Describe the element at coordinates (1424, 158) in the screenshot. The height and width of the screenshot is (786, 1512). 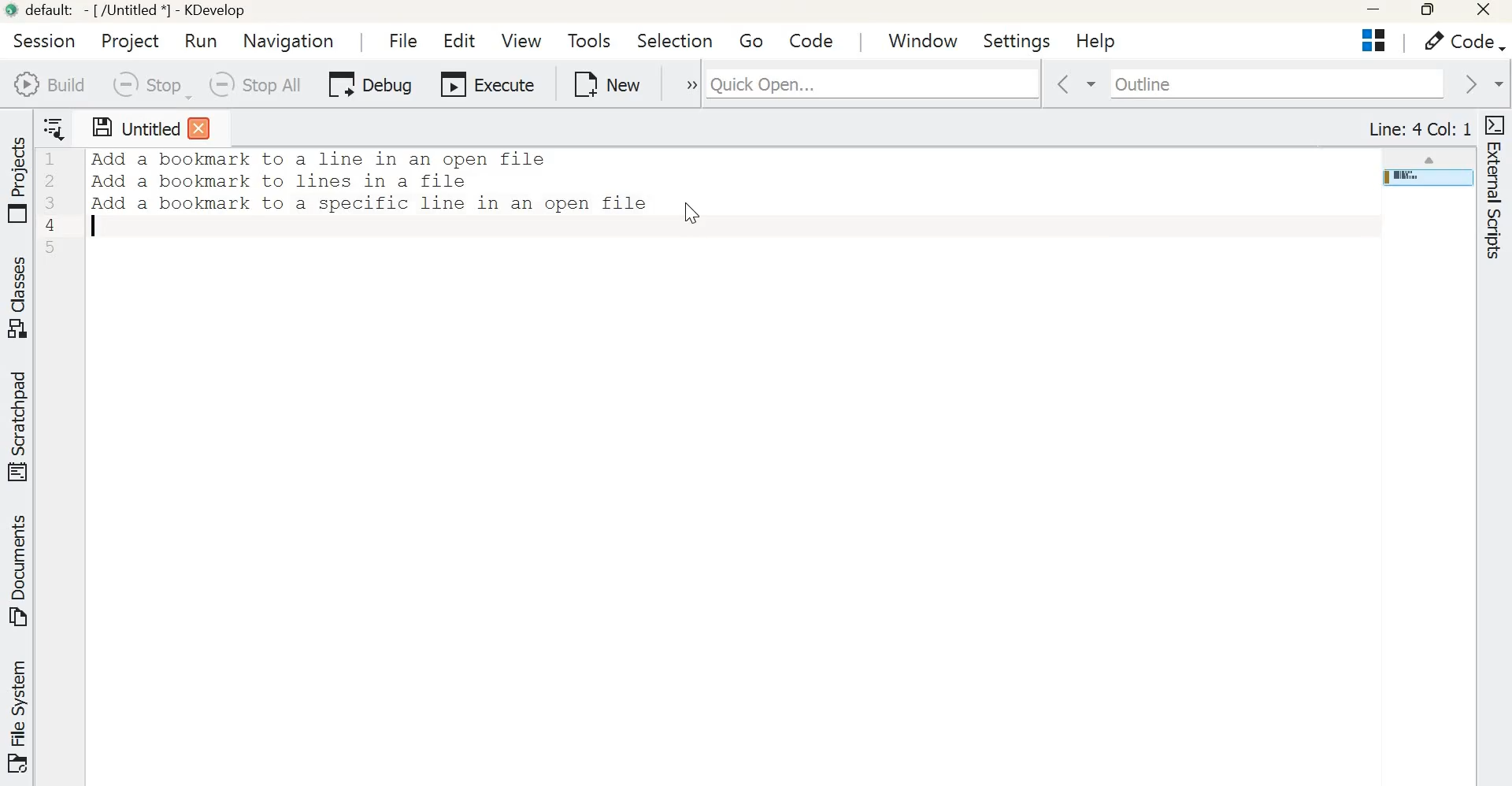
I see `scroll up arrow` at that location.